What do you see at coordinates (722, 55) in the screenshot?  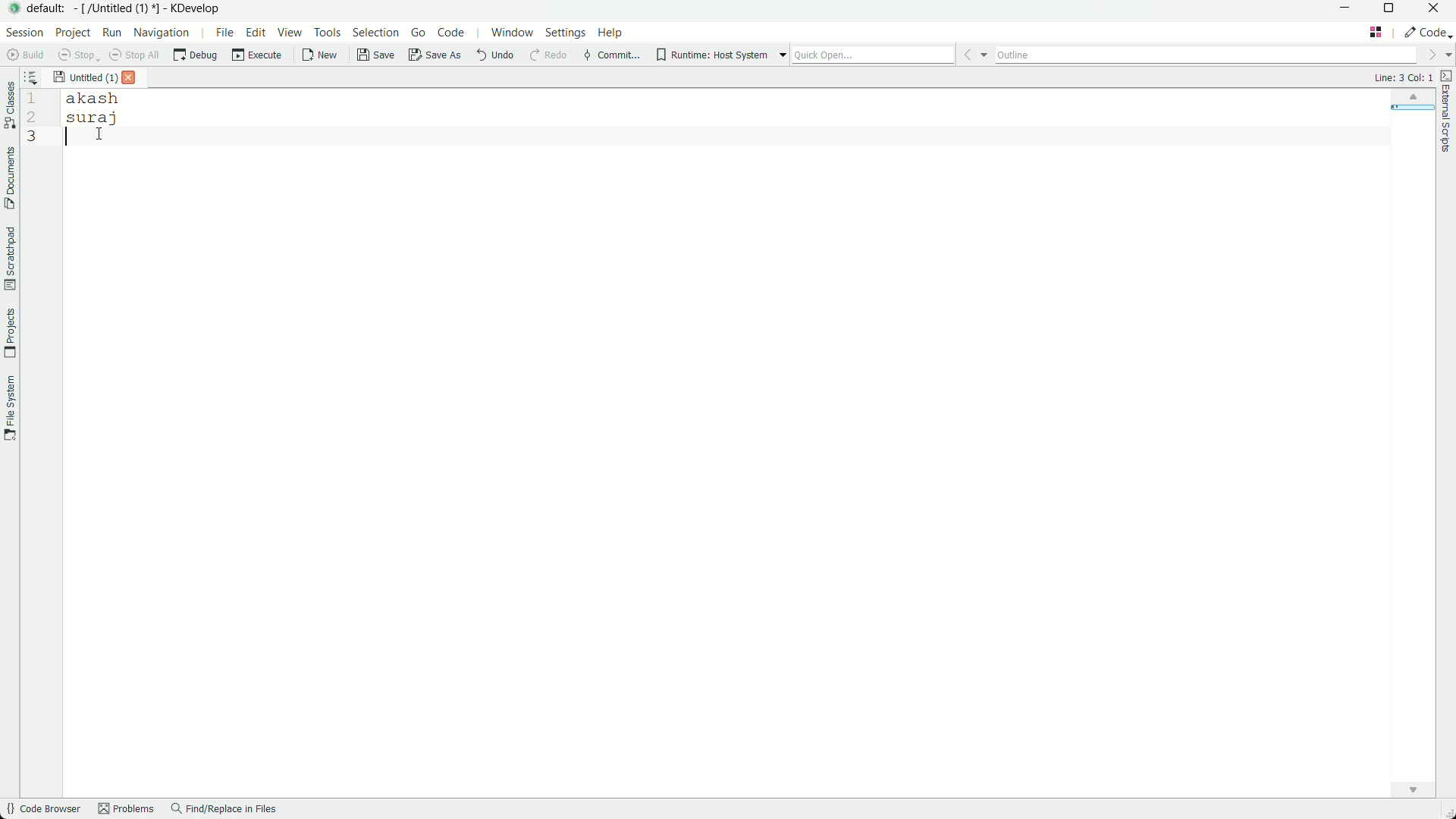 I see `runtime host system` at bounding box center [722, 55].